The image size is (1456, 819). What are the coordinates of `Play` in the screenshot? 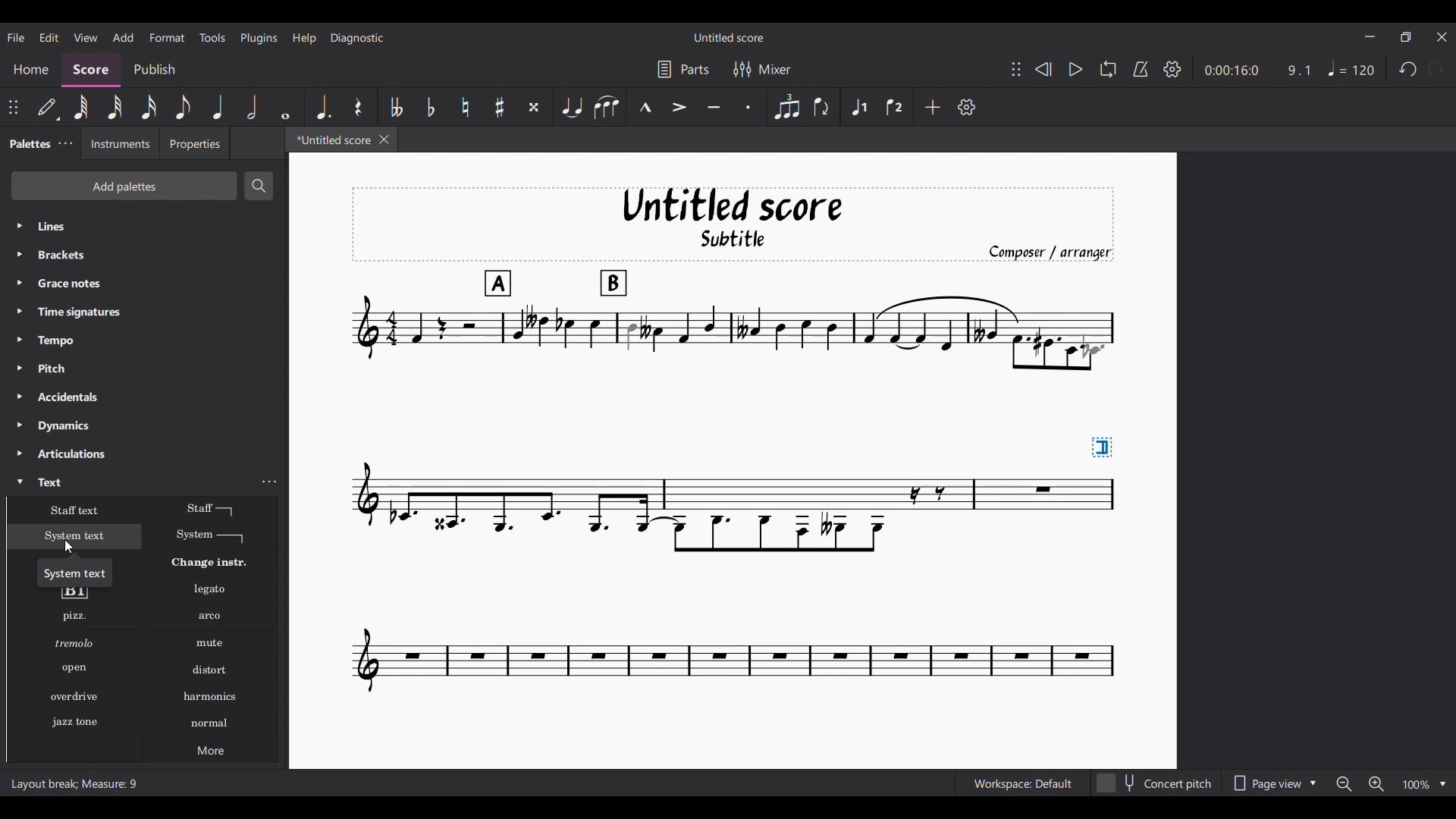 It's located at (1075, 69).